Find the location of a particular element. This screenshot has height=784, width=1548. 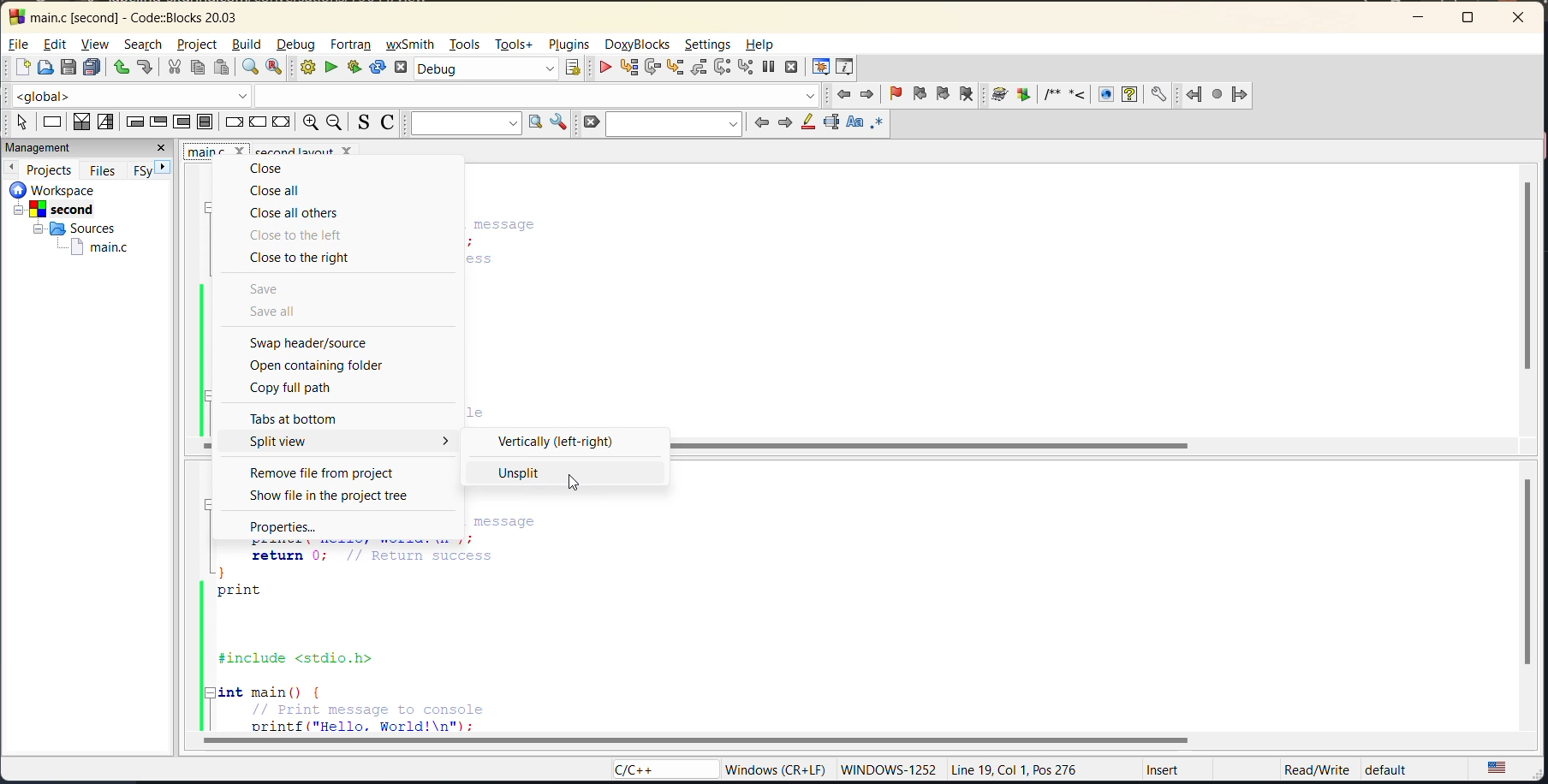

toggle source is located at coordinates (361, 121).